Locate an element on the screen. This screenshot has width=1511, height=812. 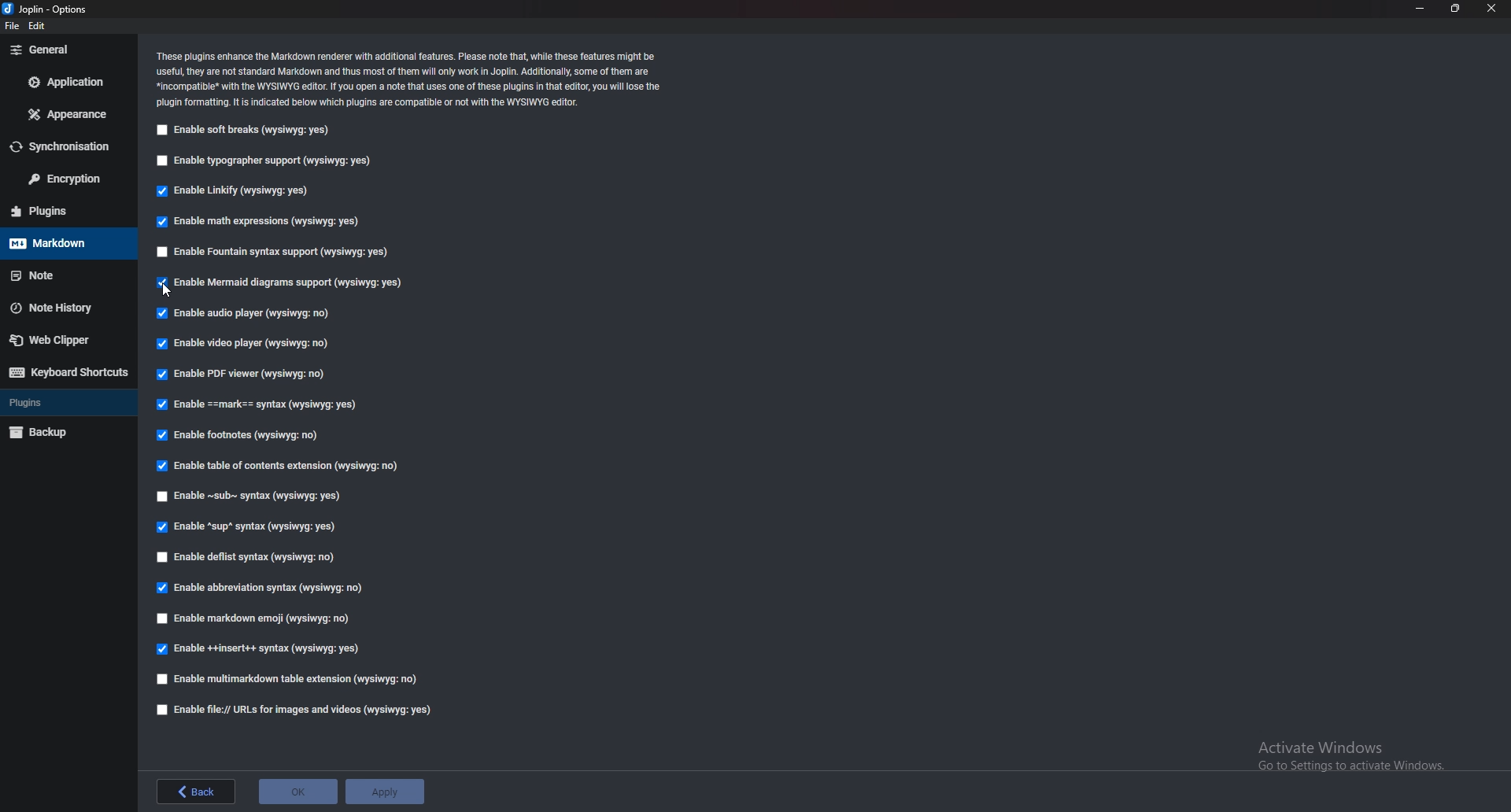
file is located at coordinates (10, 27).